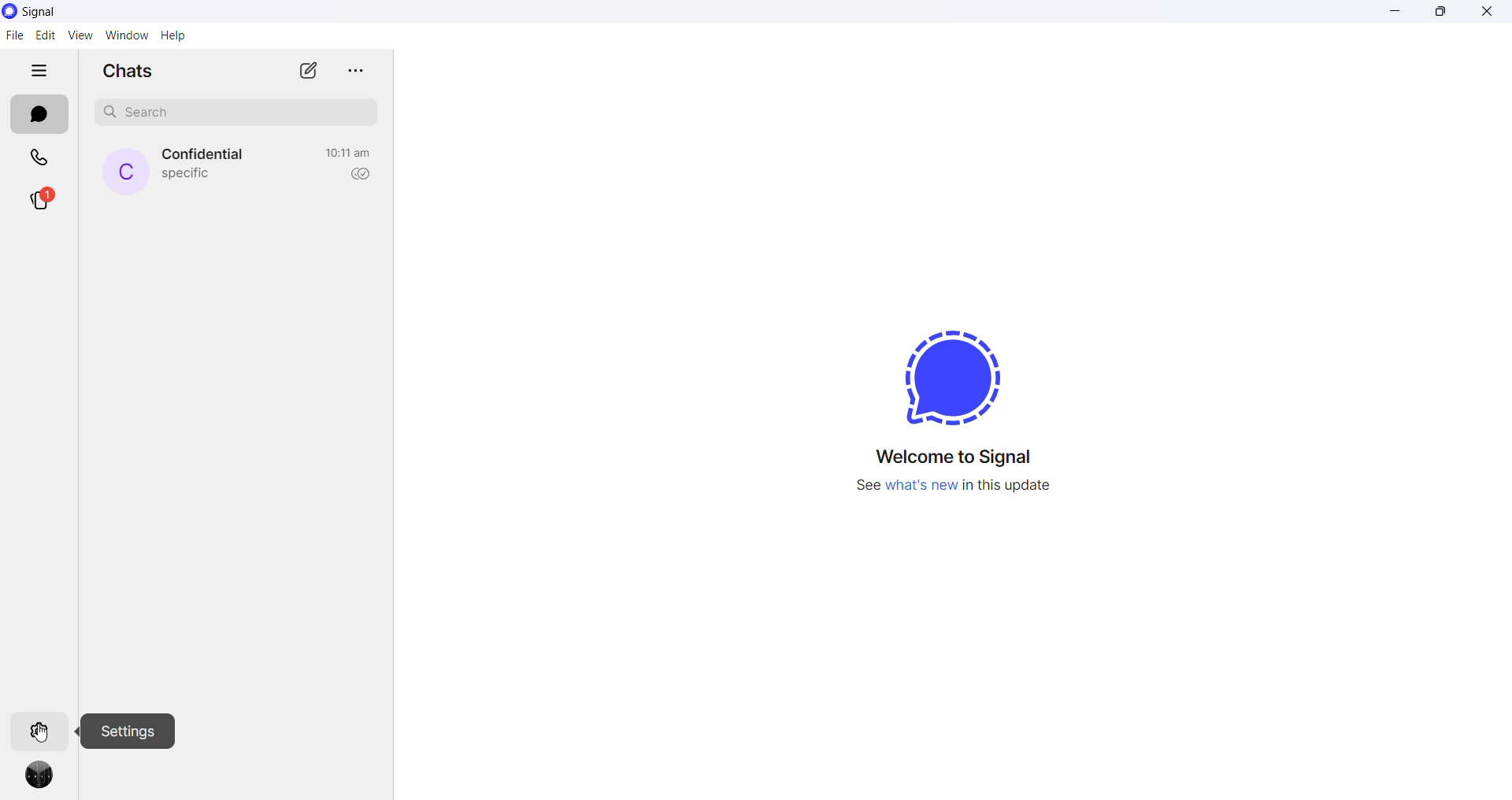  Describe the element at coordinates (43, 732) in the screenshot. I see `cursor` at that location.